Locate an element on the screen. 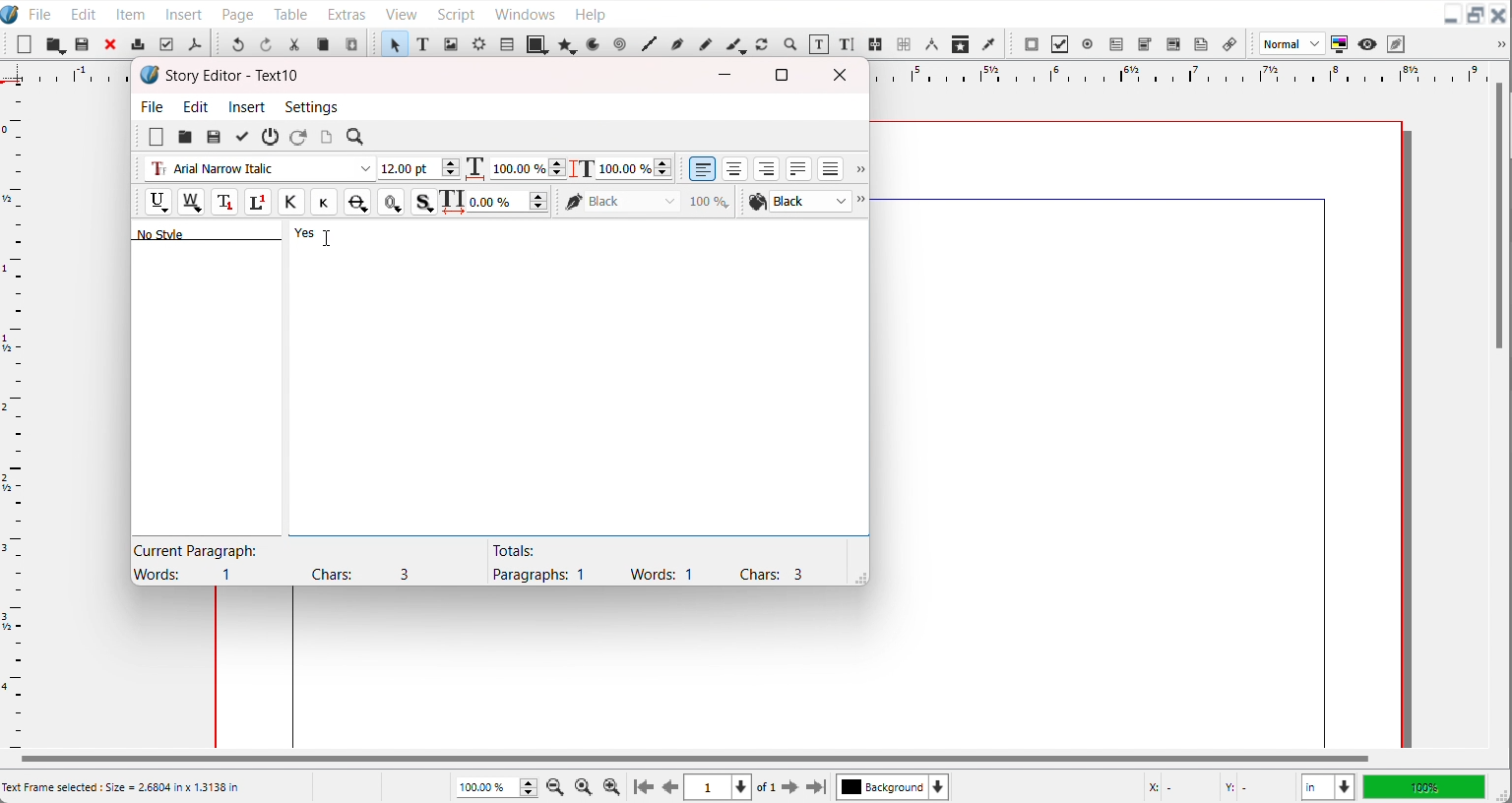 The image size is (1512, 803). Text Frame is located at coordinates (423, 43).